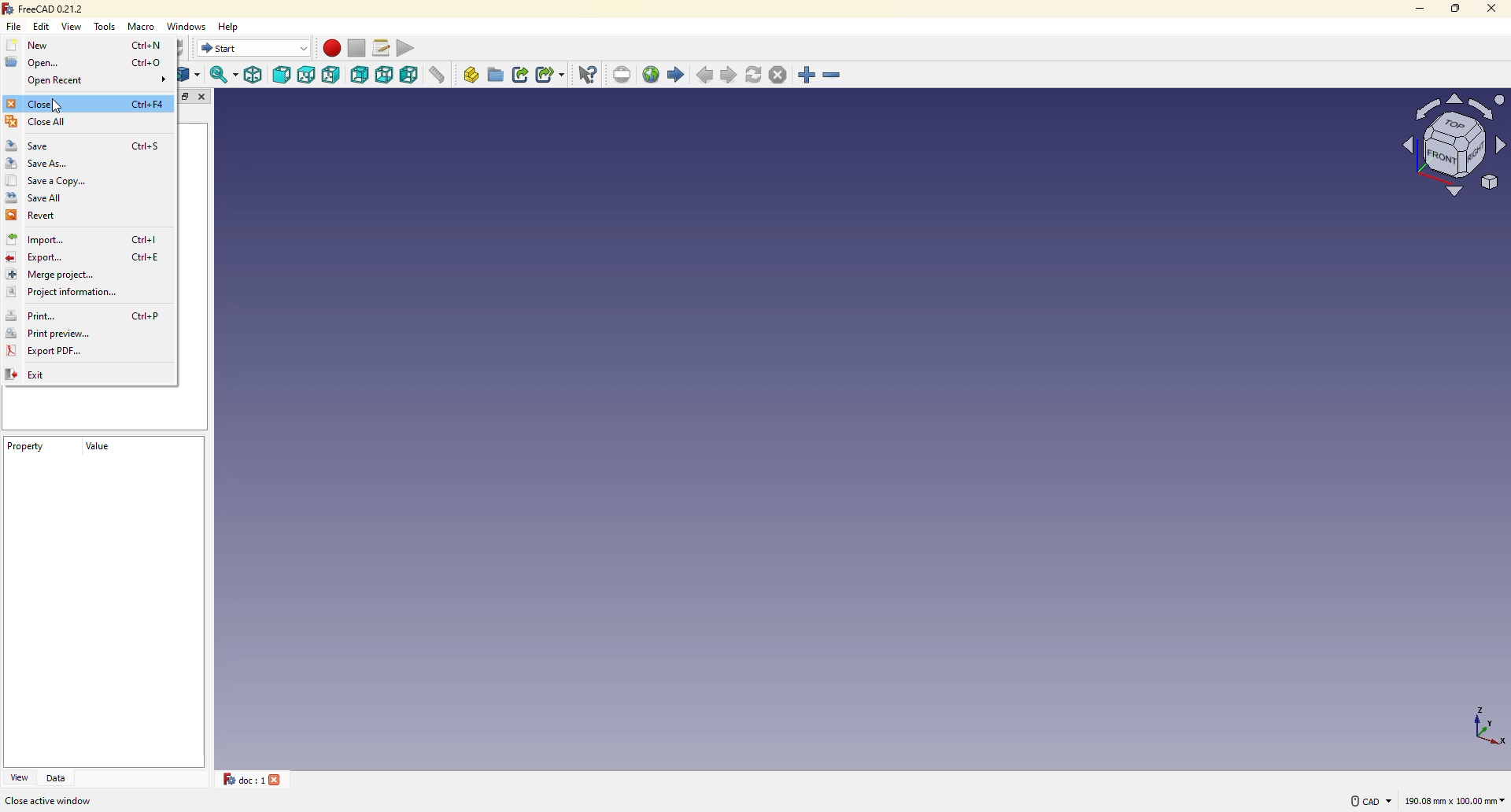 The image size is (1511, 812). I want to click on zoom in, so click(807, 76).